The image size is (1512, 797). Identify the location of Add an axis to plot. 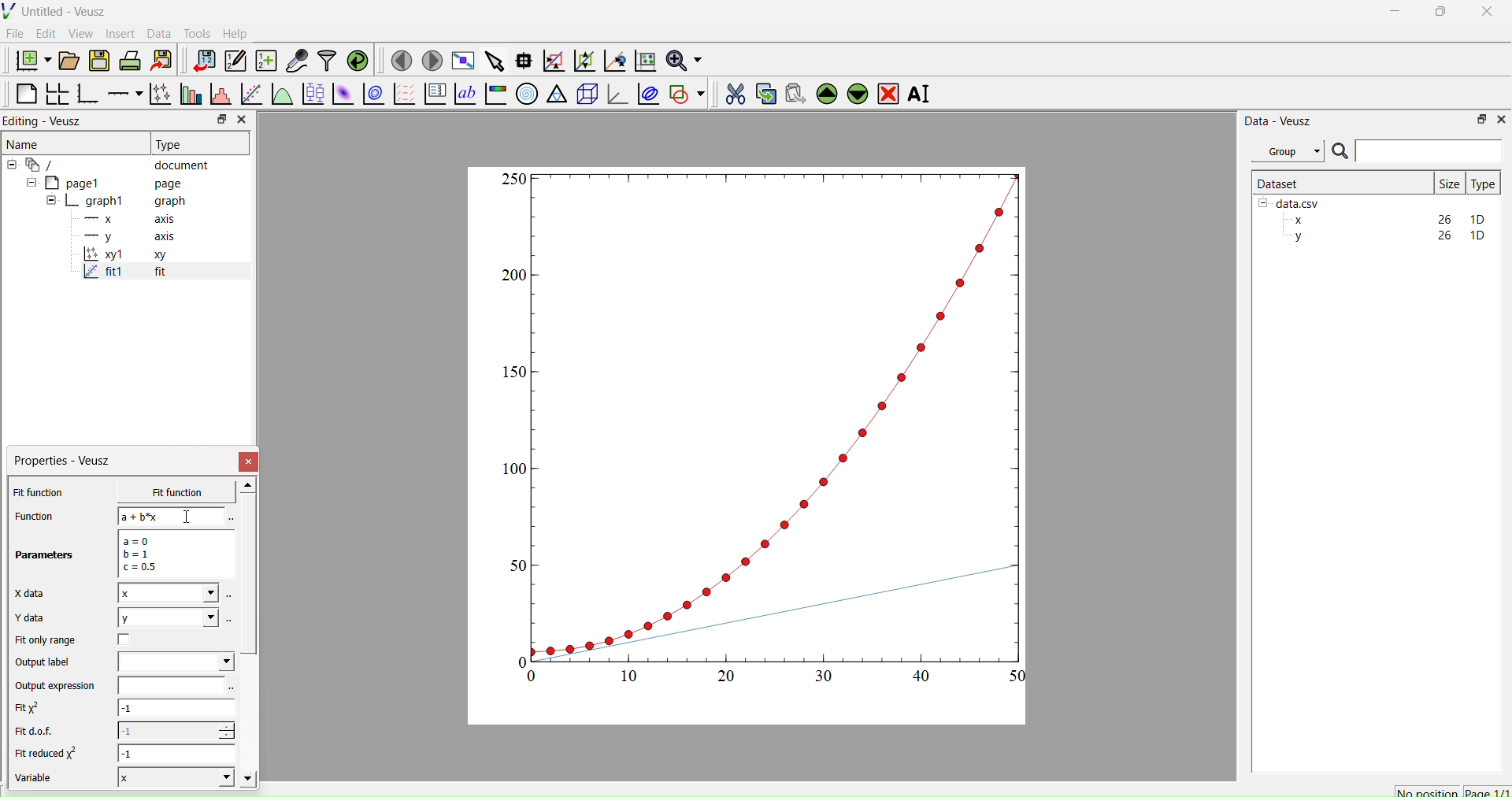
(120, 92).